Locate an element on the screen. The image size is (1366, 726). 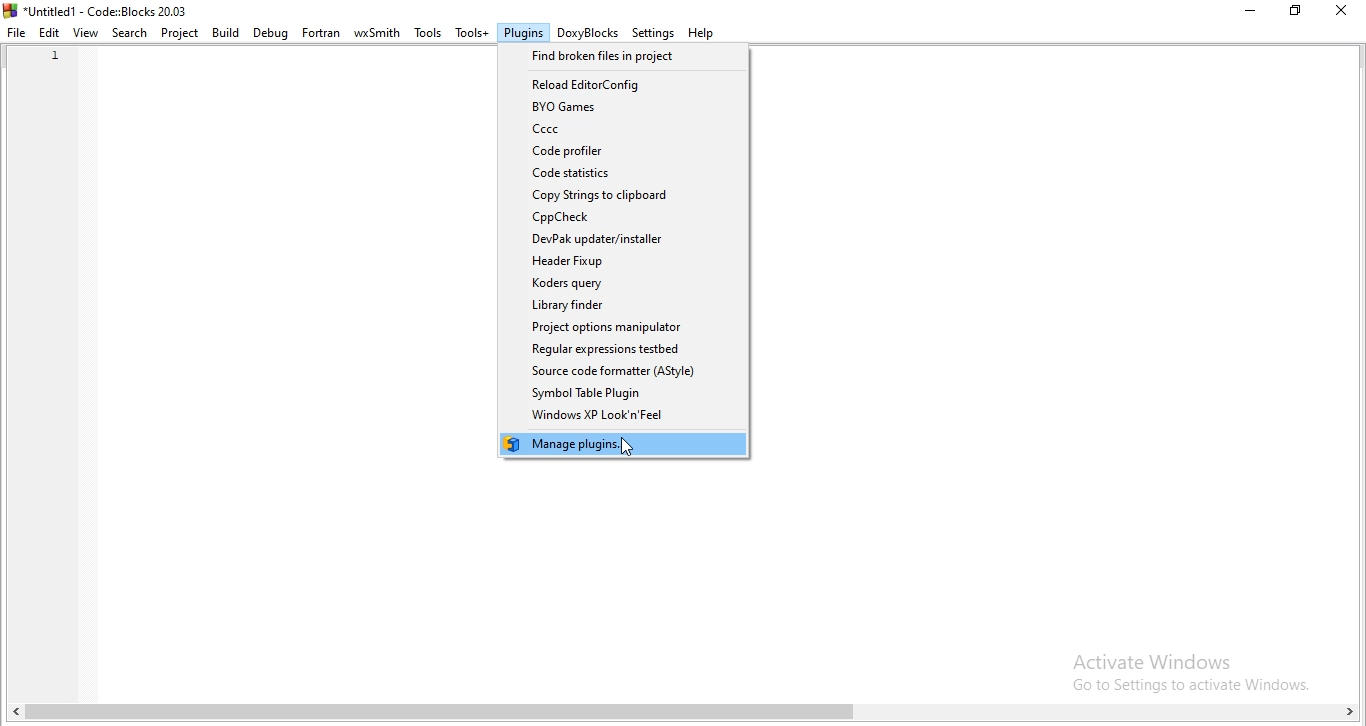
Settings is located at coordinates (653, 34).